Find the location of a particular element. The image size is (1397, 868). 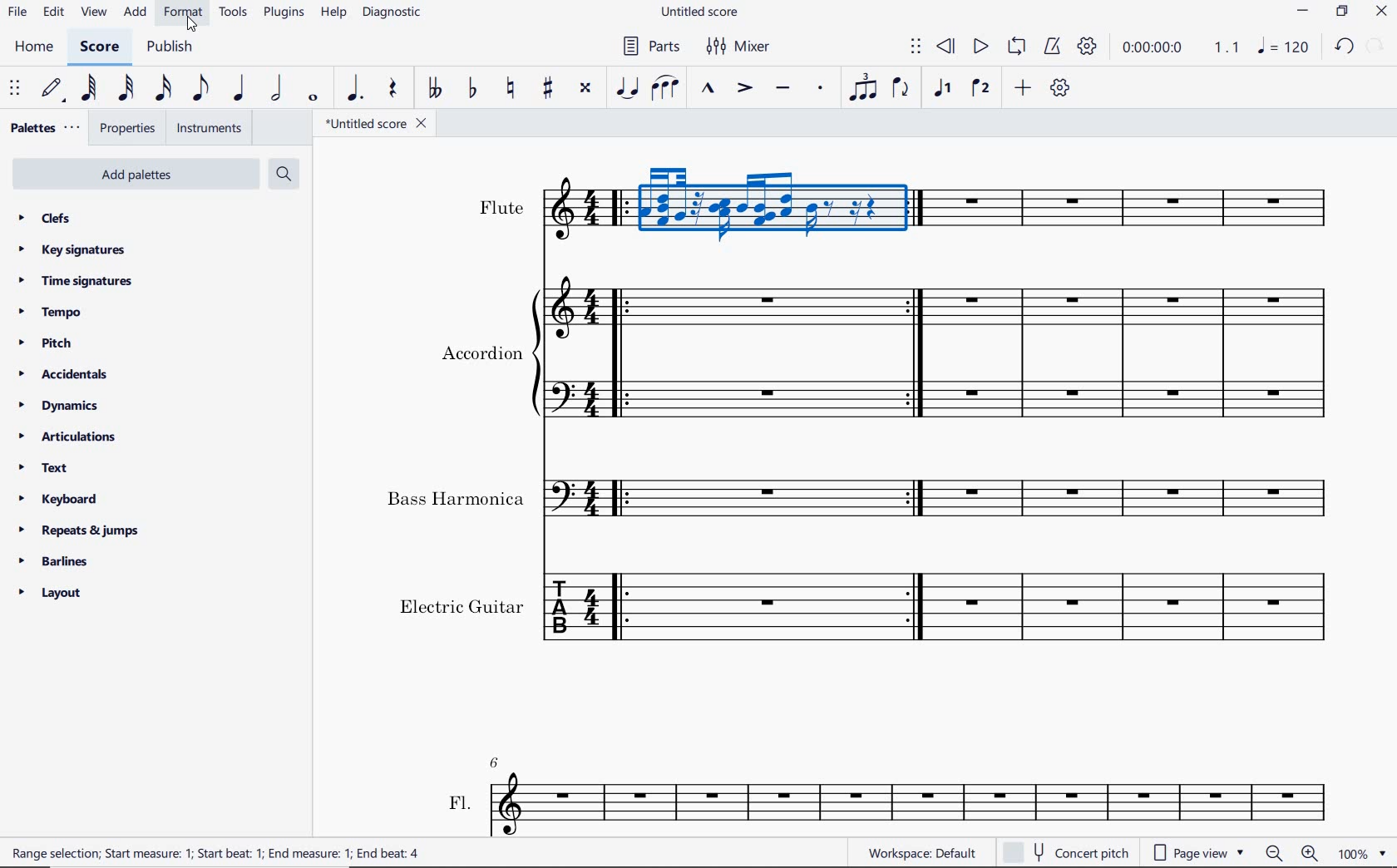

tenuto is located at coordinates (783, 88).